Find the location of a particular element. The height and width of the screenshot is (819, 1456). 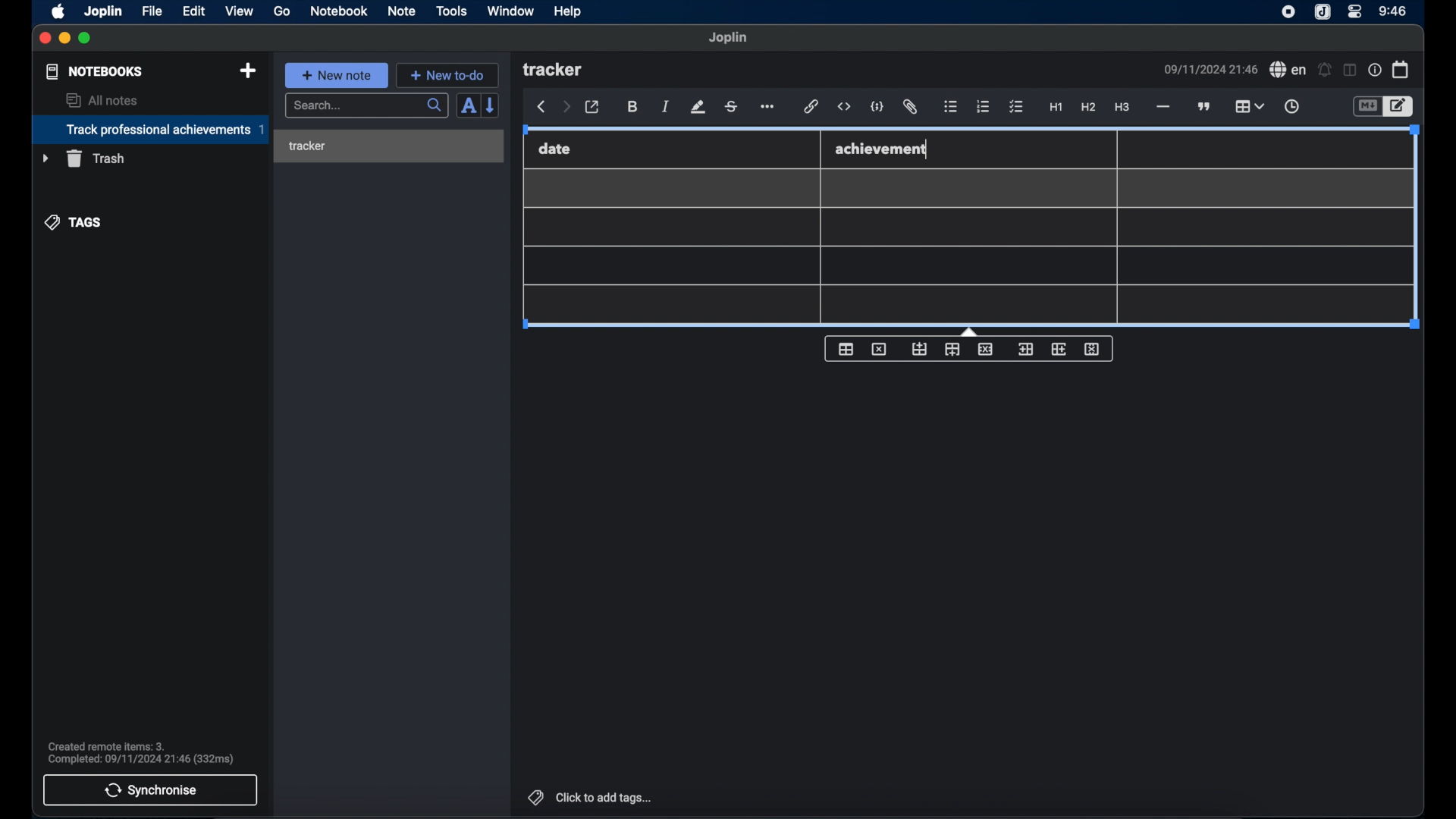

back is located at coordinates (541, 107).